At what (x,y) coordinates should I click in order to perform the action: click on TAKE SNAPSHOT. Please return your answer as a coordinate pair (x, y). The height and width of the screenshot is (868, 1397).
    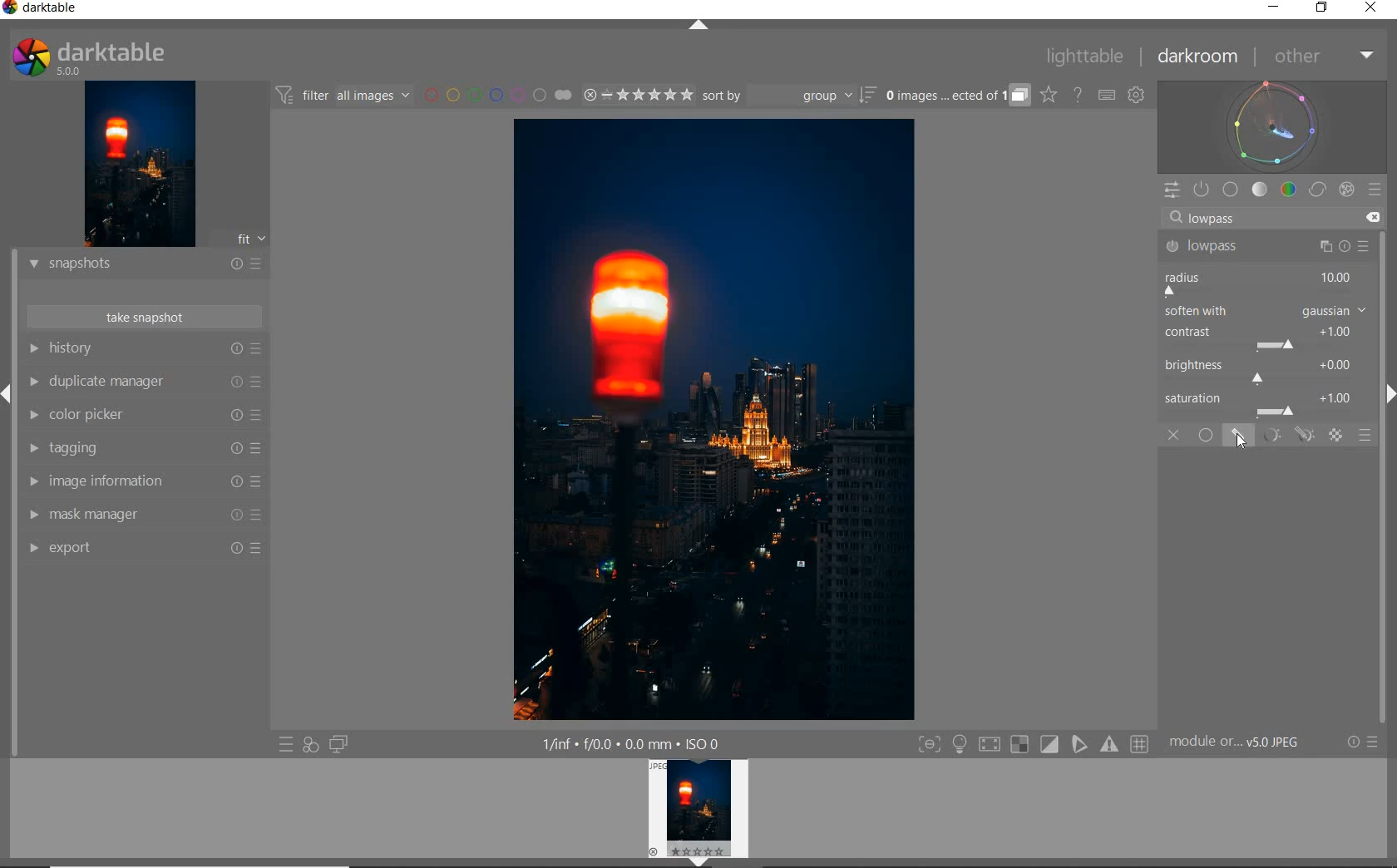
    Looking at the image, I should click on (143, 318).